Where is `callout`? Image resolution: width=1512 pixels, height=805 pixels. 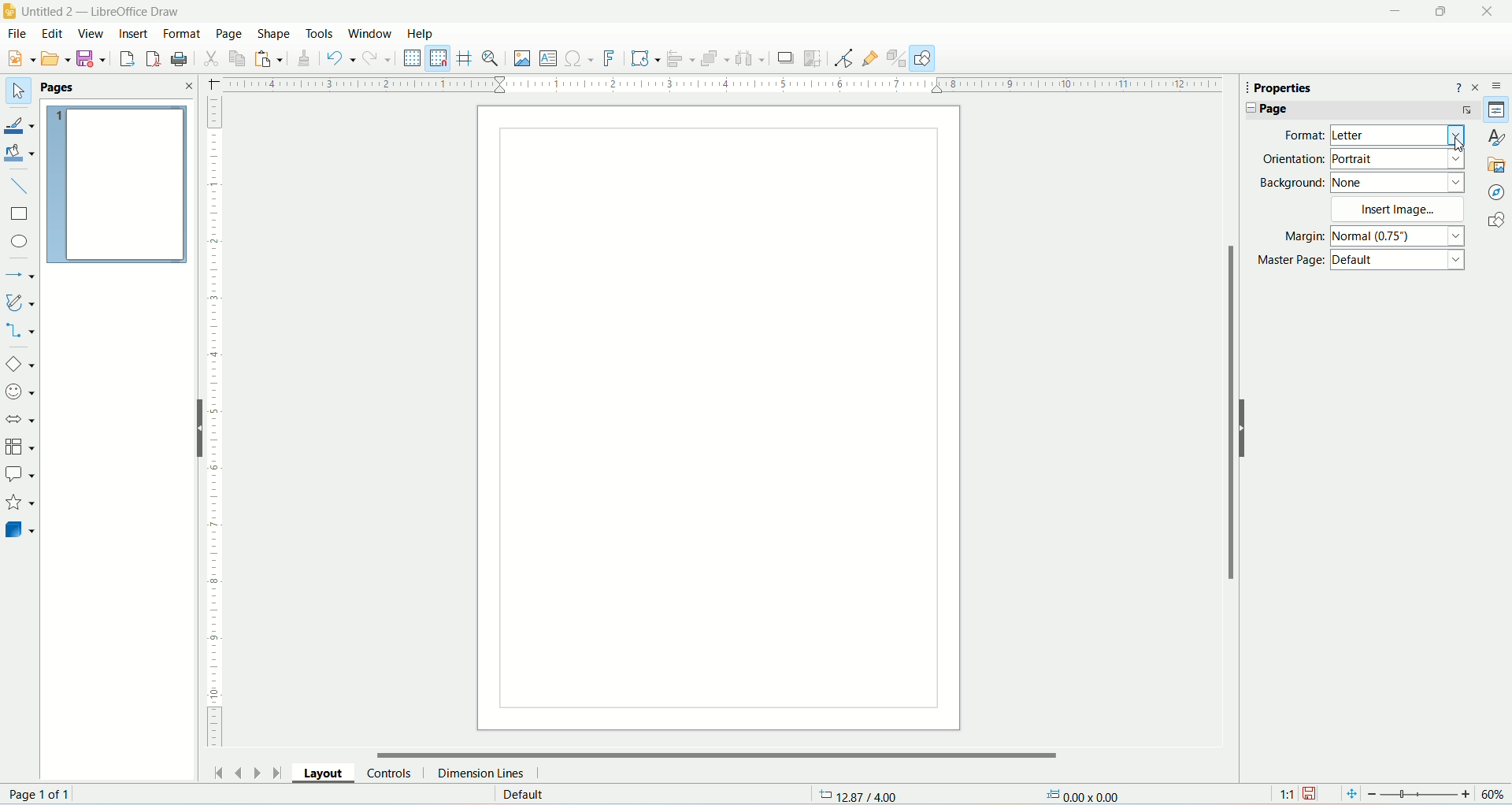 callout is located at coordinates (20, 473).